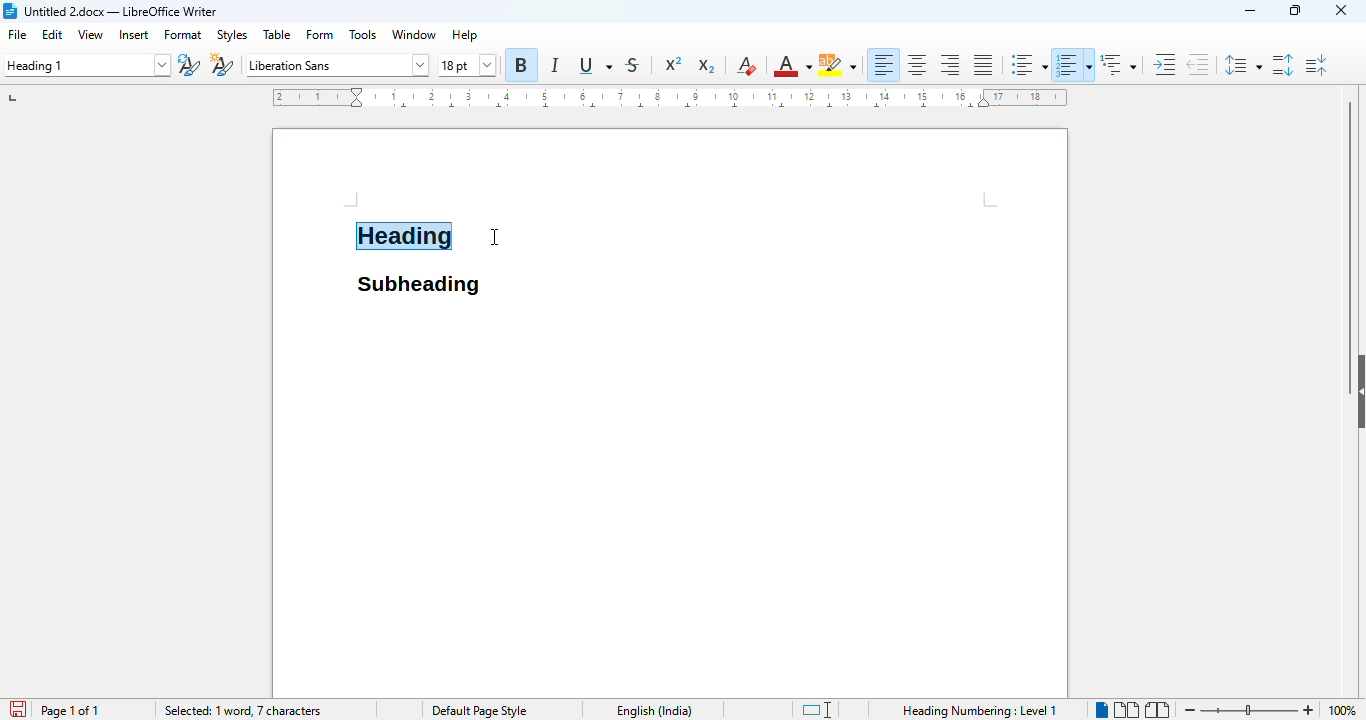 Image resolution: width=1366 pixels, height=720 pixels. Describe the element at coordinates (950, 64) in the screenshot. I see `align right` at that location.